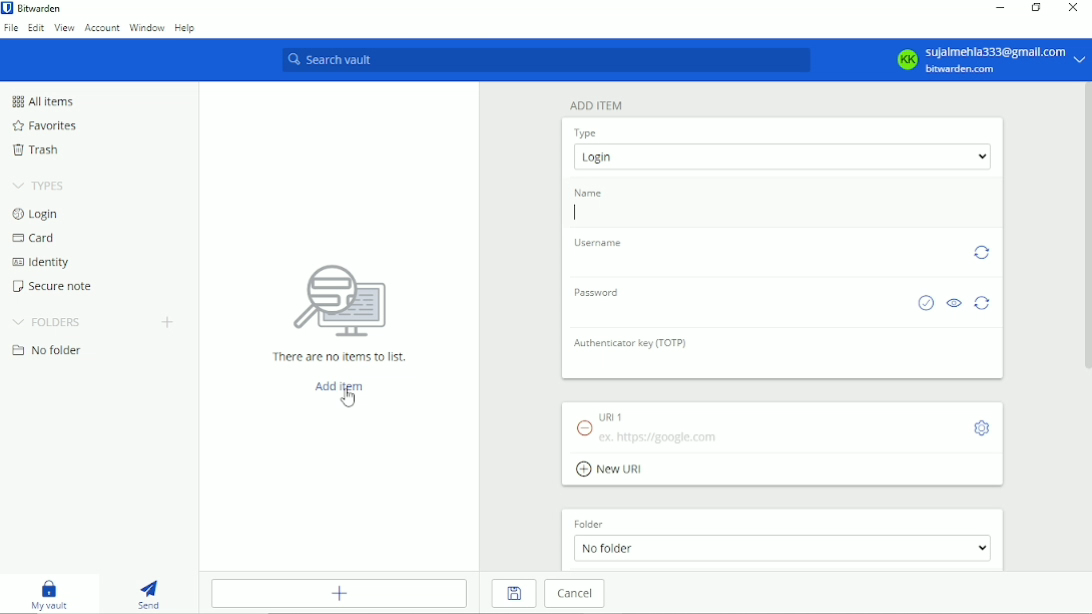 Image resolution: width=1092 pixels, height=614 pixels. I want to click on vertical scrollbar, so click(1088, 228).